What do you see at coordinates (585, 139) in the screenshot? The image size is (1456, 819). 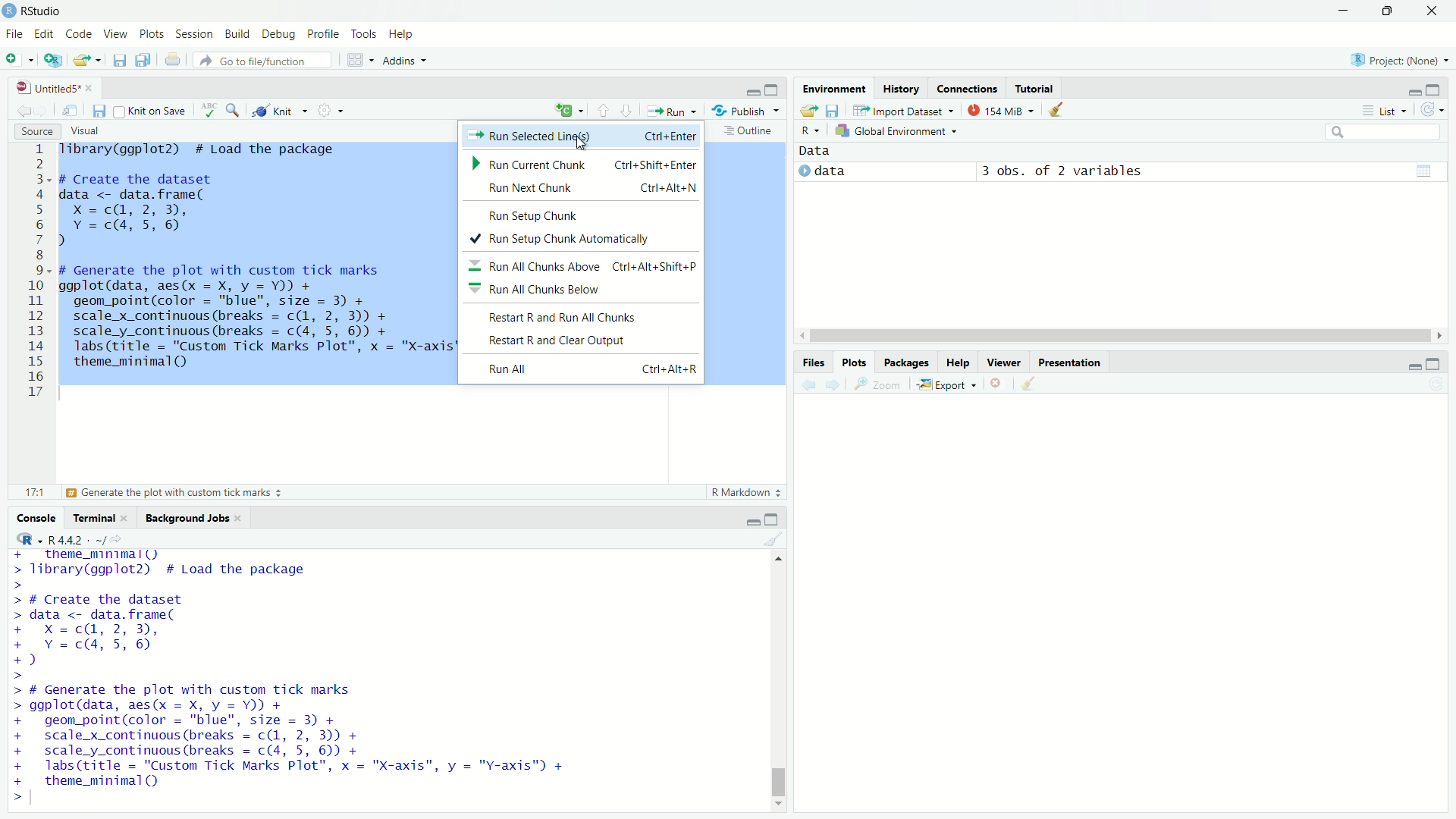 I see `run selected line(s)` at bounding box center [585, 139].